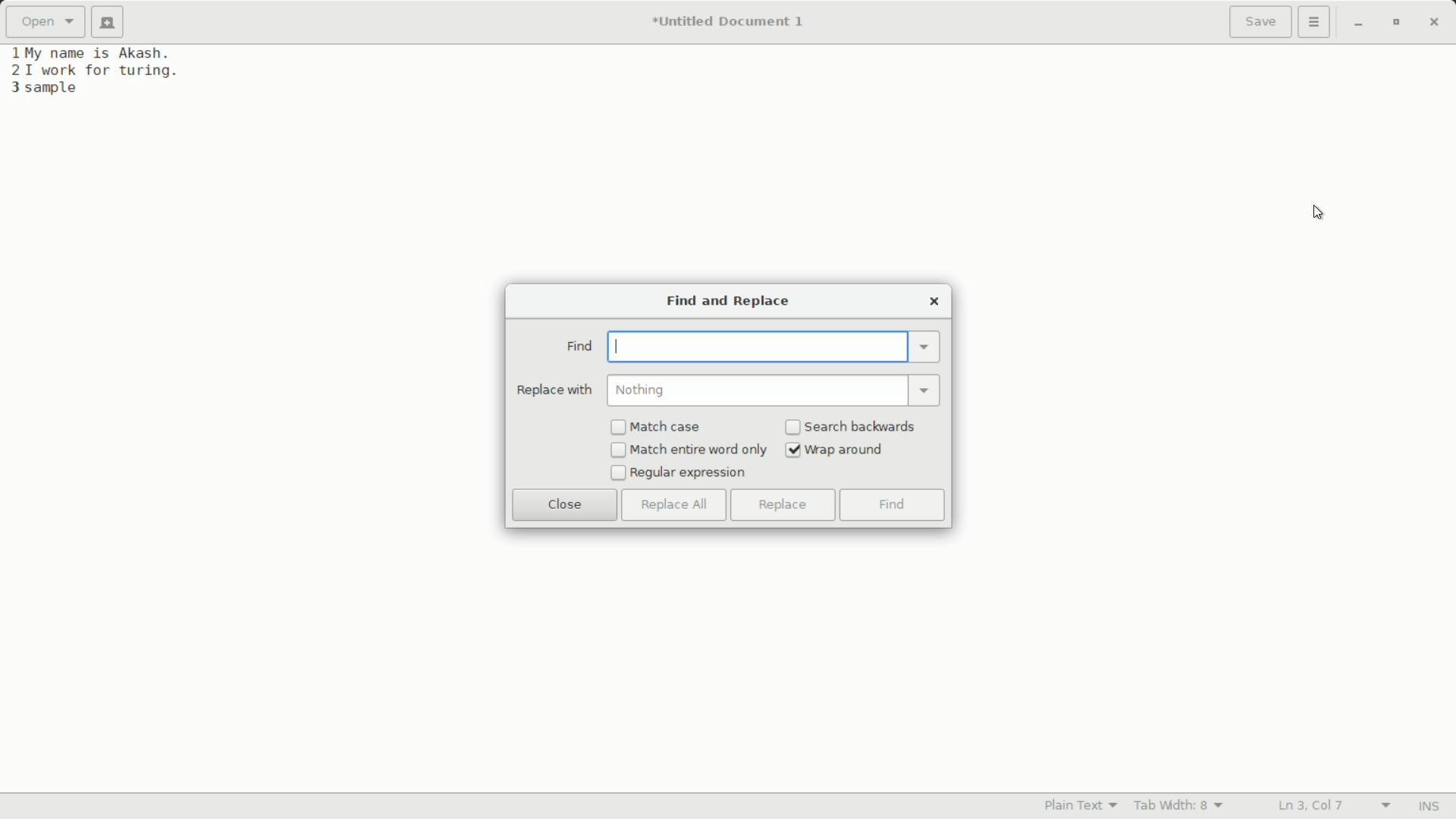 The height and width of the screenshot is (819, 1456). I want to click on tab width, so click(1179, 805).